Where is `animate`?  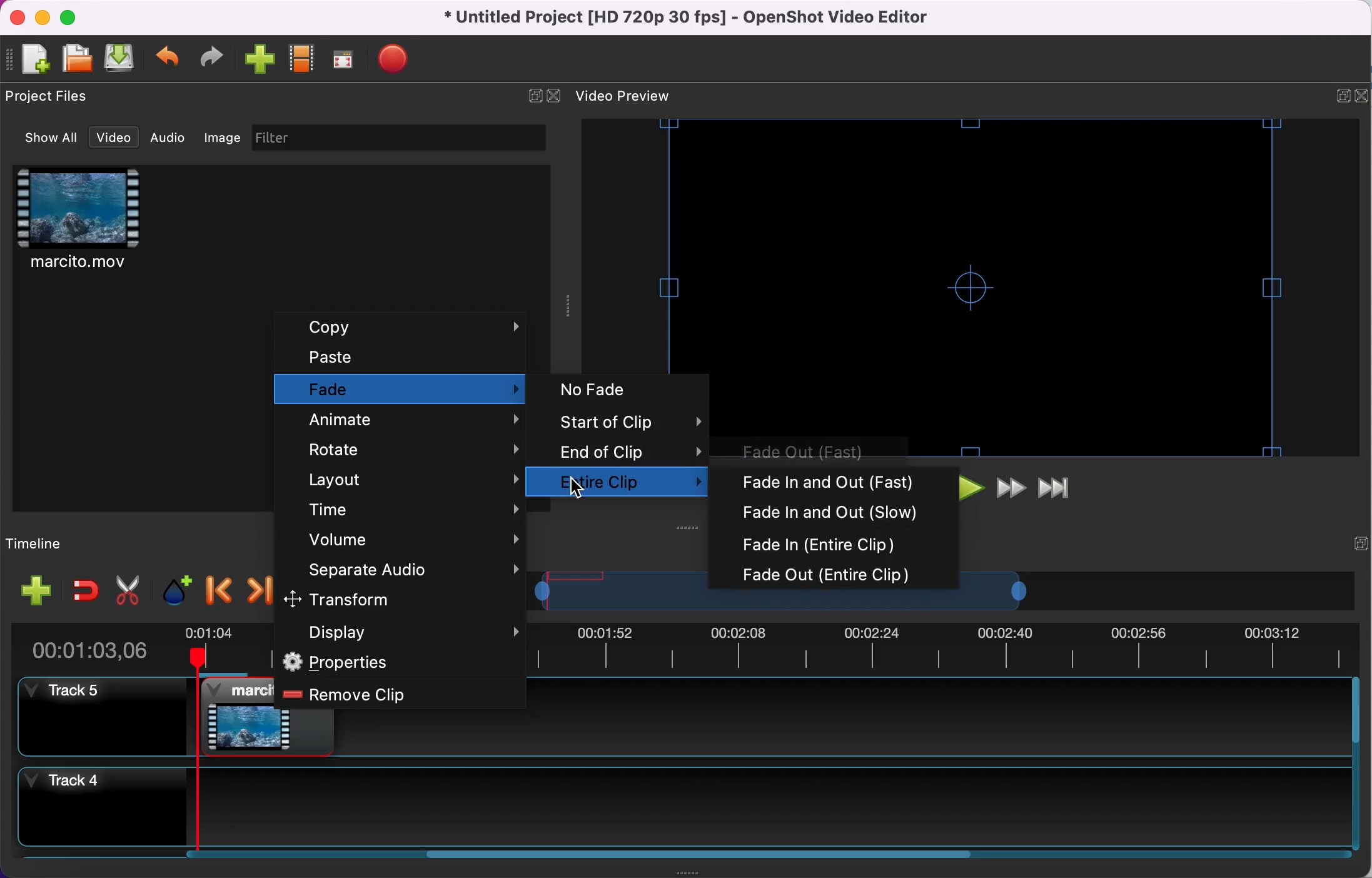
animate is located at coordinates (409, 423).